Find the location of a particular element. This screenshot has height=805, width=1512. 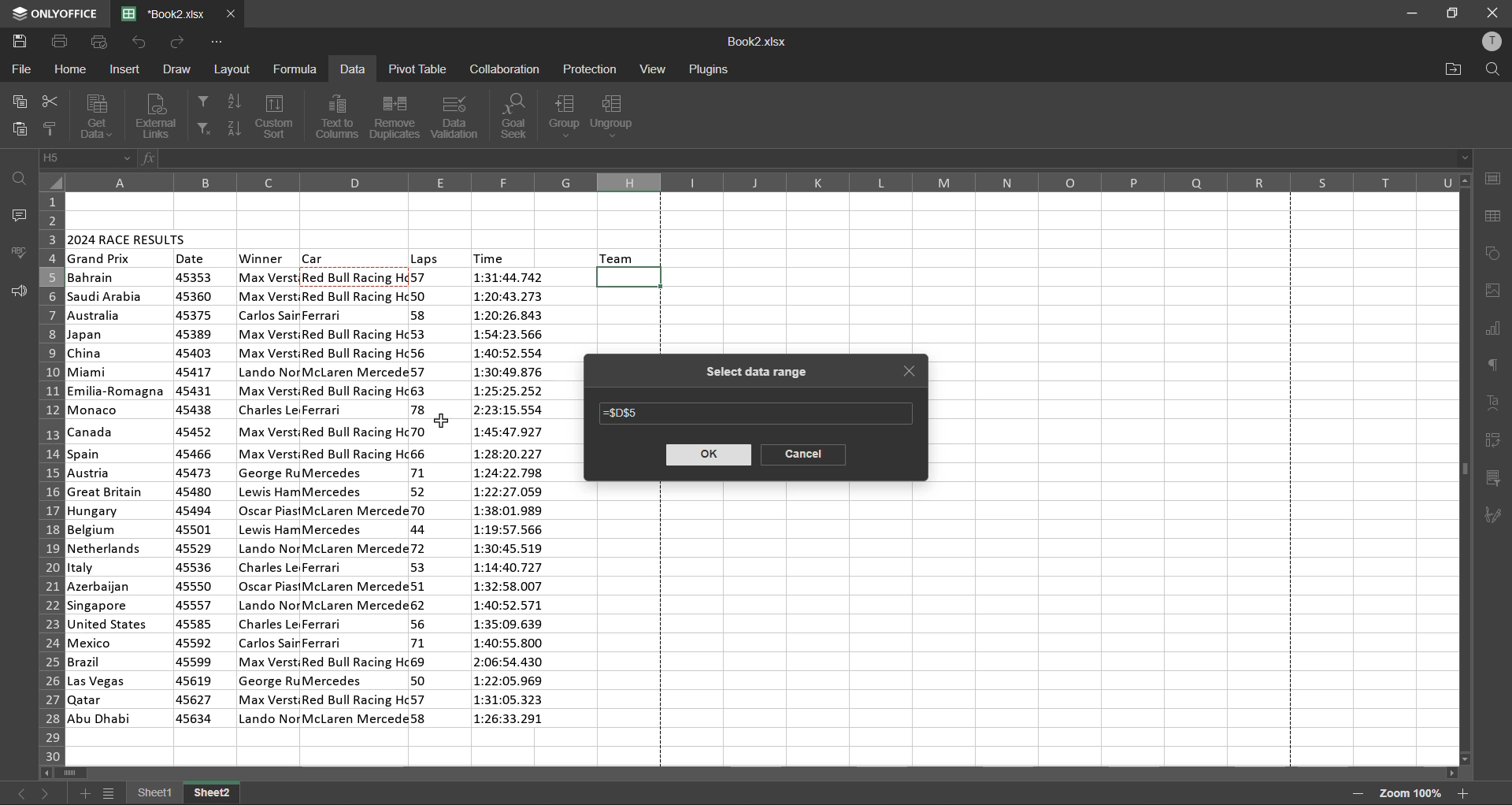

draw is located at coordinates (178, 67).